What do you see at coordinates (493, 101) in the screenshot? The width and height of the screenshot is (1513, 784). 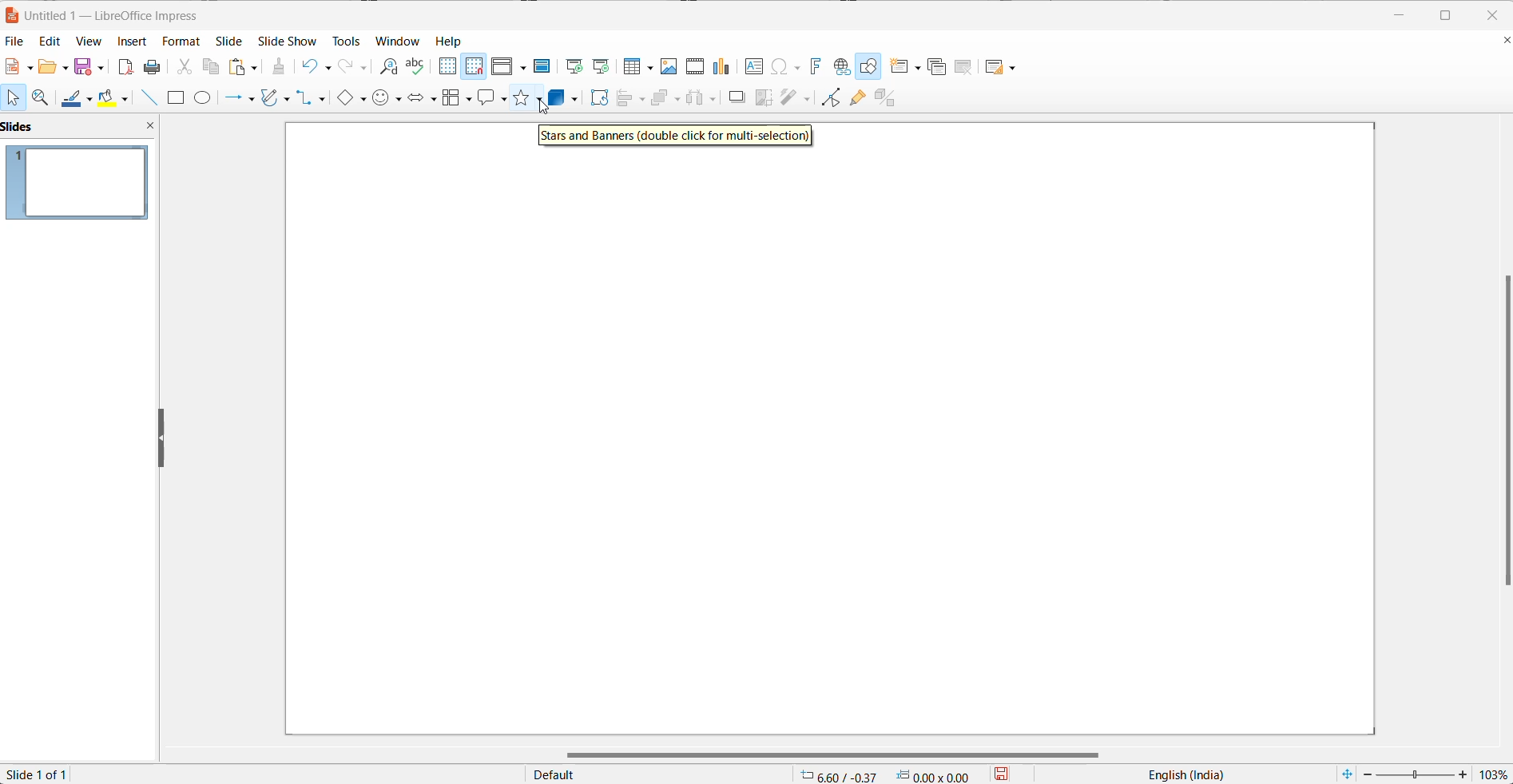 I see `callout shapes` at bounding box center [493, 101].